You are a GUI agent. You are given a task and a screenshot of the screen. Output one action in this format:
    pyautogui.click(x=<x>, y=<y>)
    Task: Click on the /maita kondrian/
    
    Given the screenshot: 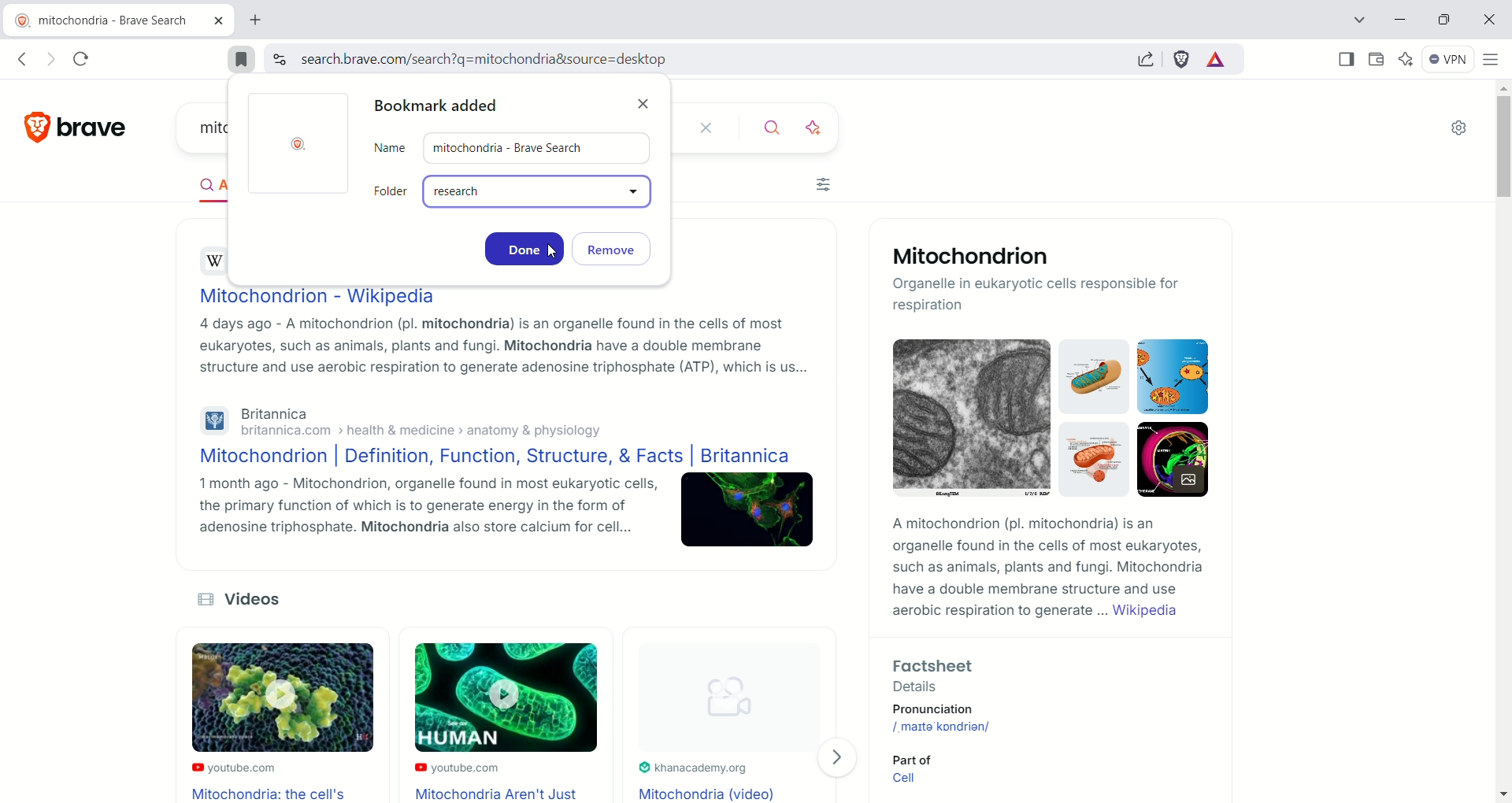 What is the action you would take?
    pyautogui.click(x=944, y=726)
    